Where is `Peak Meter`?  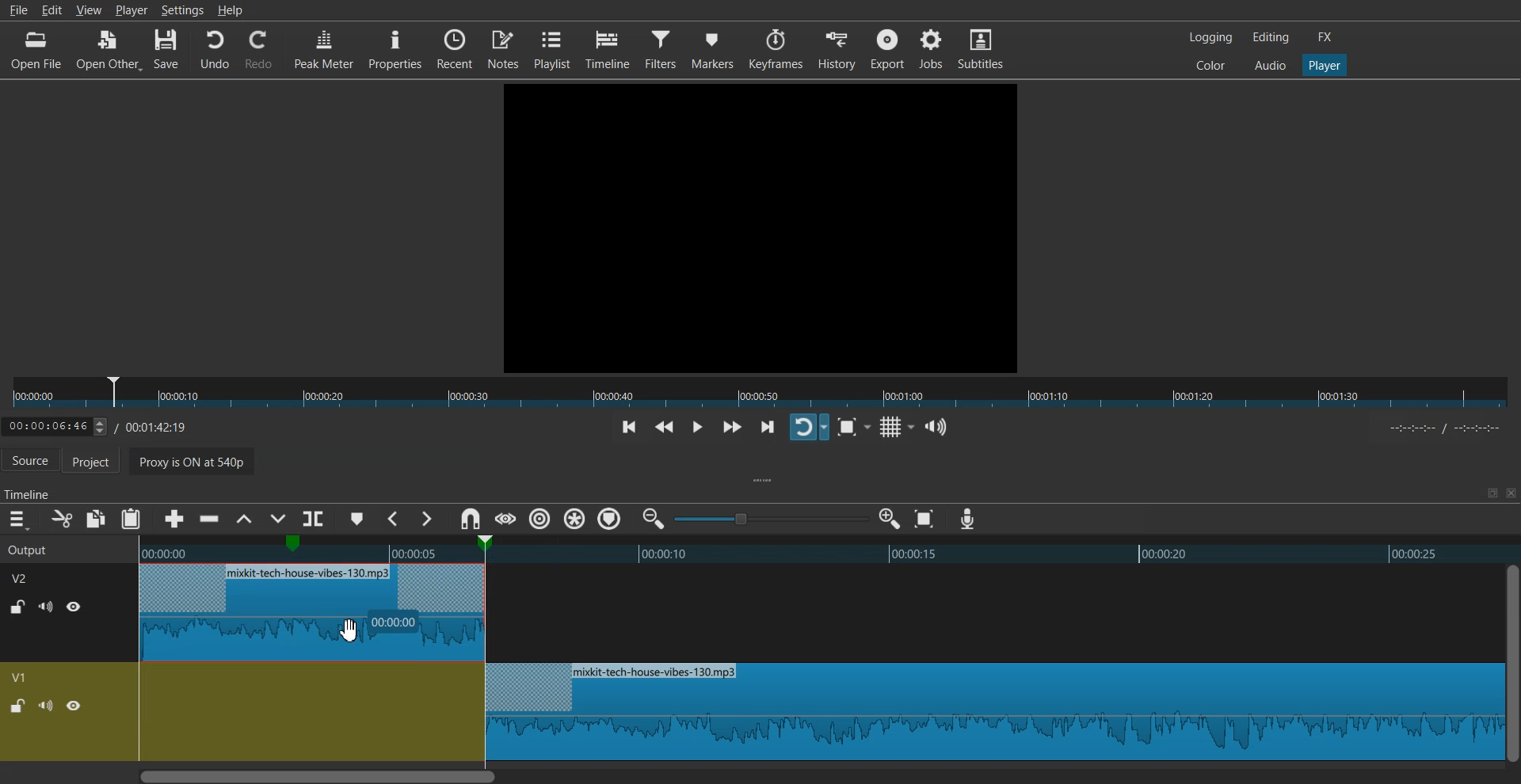
Peak Meter is located at coordinates (324, 48).